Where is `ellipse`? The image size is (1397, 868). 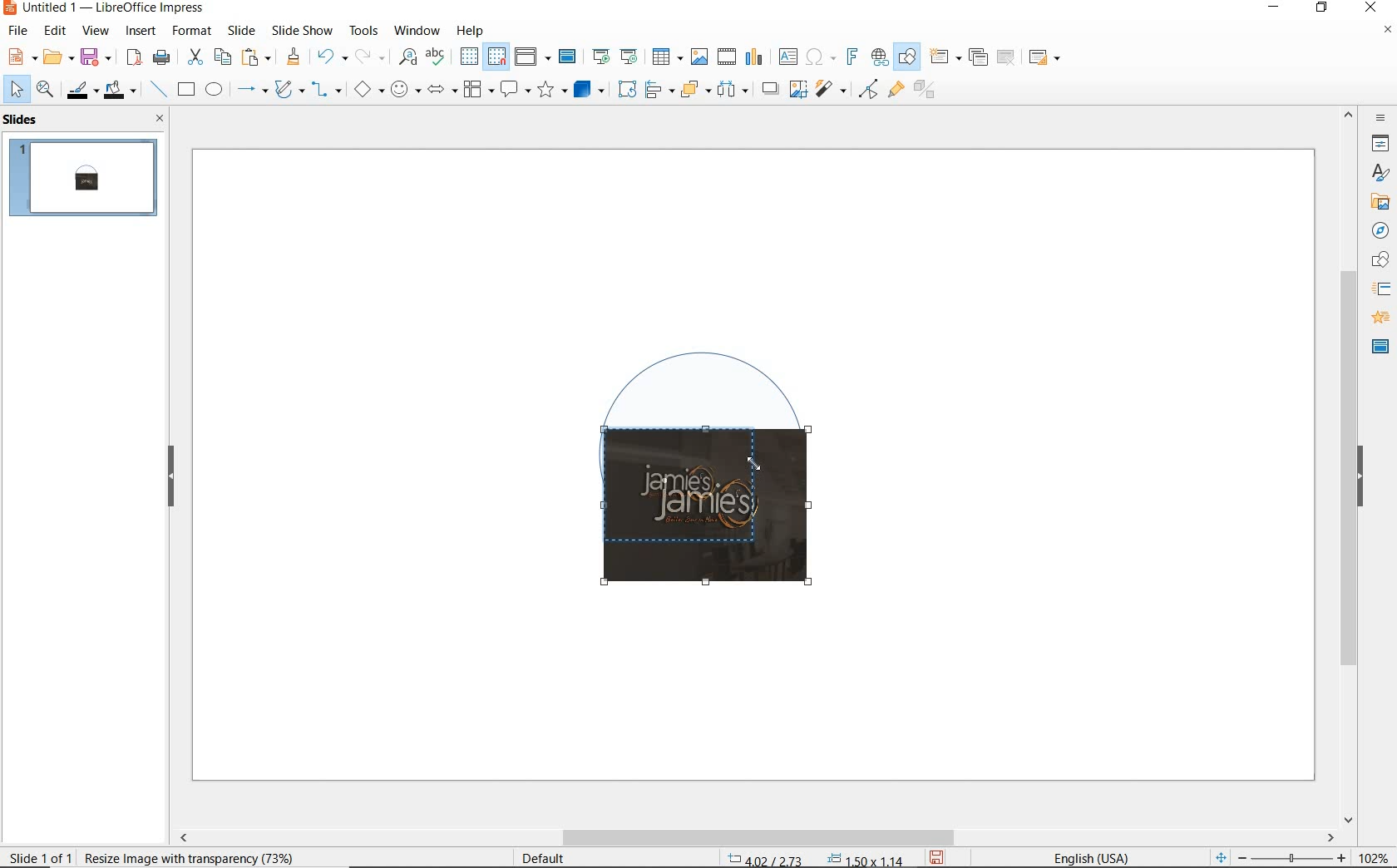 ellipse is located at coordinates (214, 91).